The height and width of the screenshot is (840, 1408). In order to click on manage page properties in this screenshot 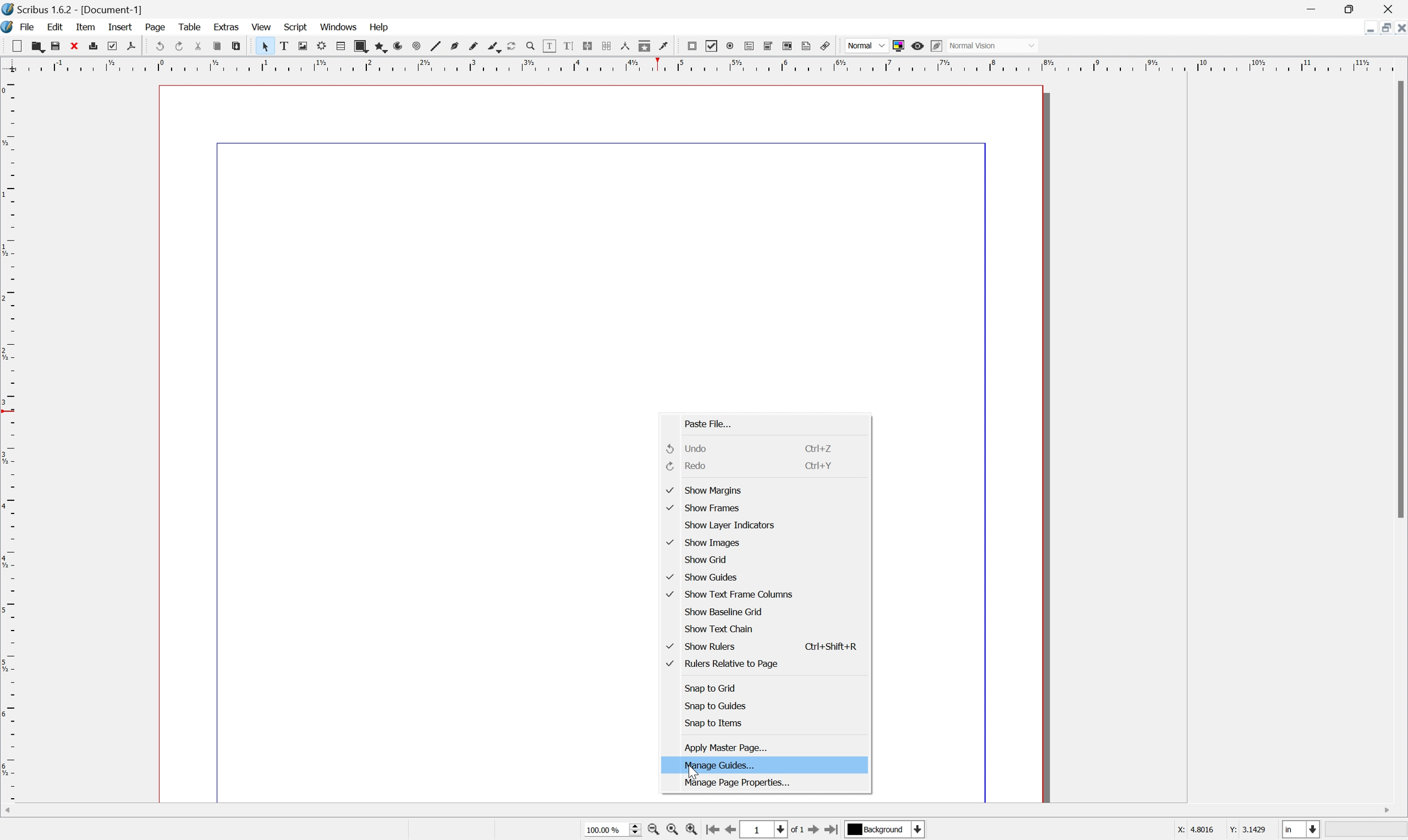, I will do `click(740, 783)`.